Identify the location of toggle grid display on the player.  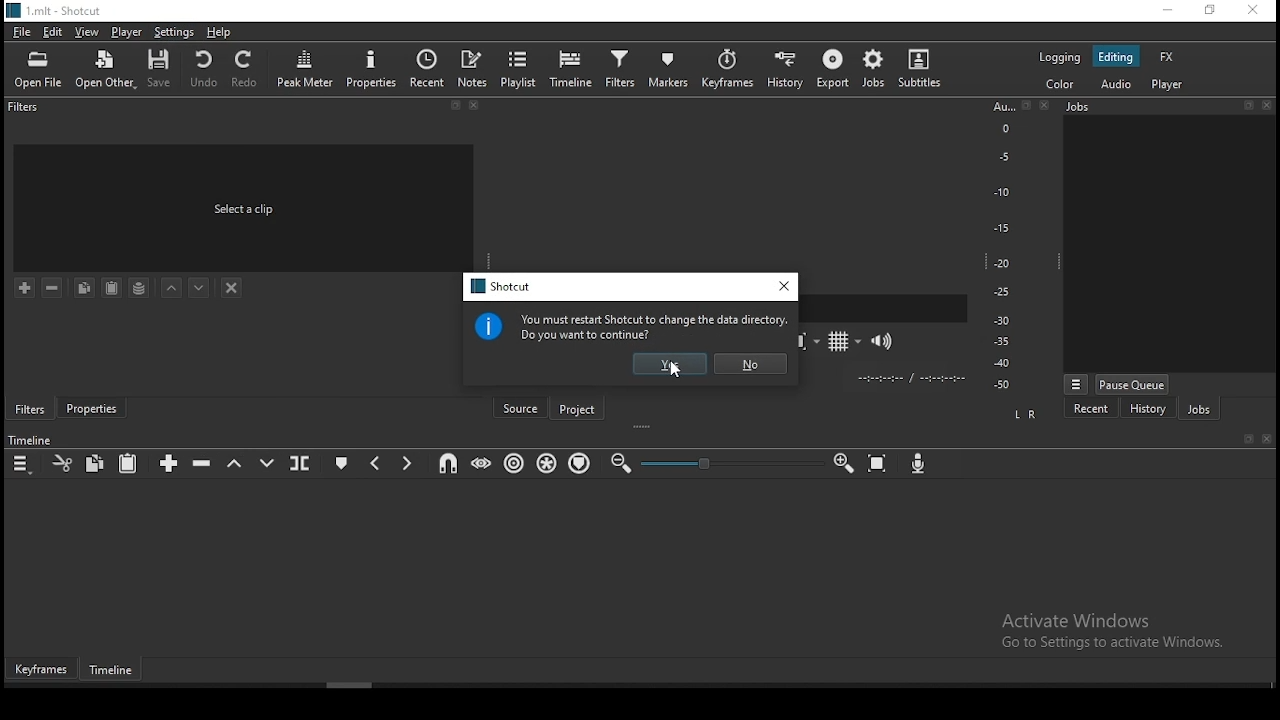
(840, 340).